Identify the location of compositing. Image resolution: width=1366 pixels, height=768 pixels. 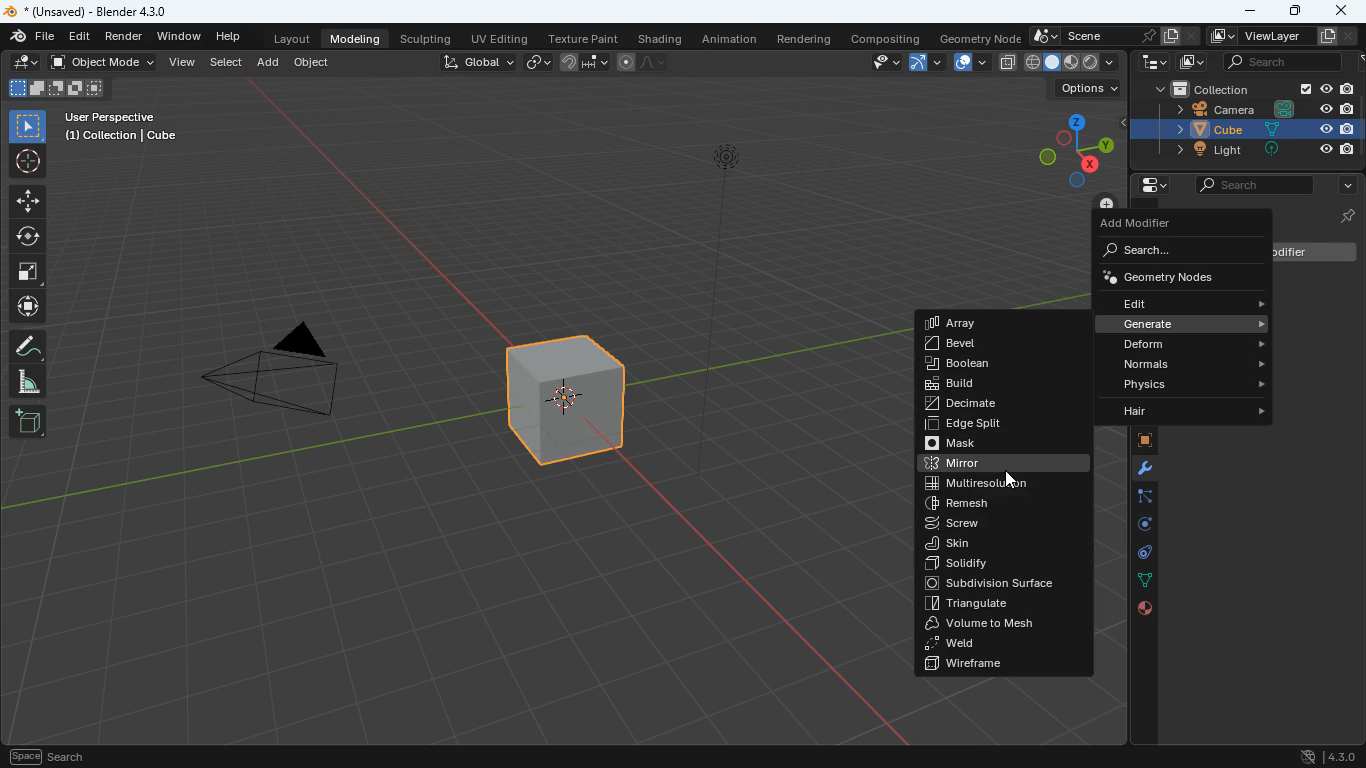
(884, 38).